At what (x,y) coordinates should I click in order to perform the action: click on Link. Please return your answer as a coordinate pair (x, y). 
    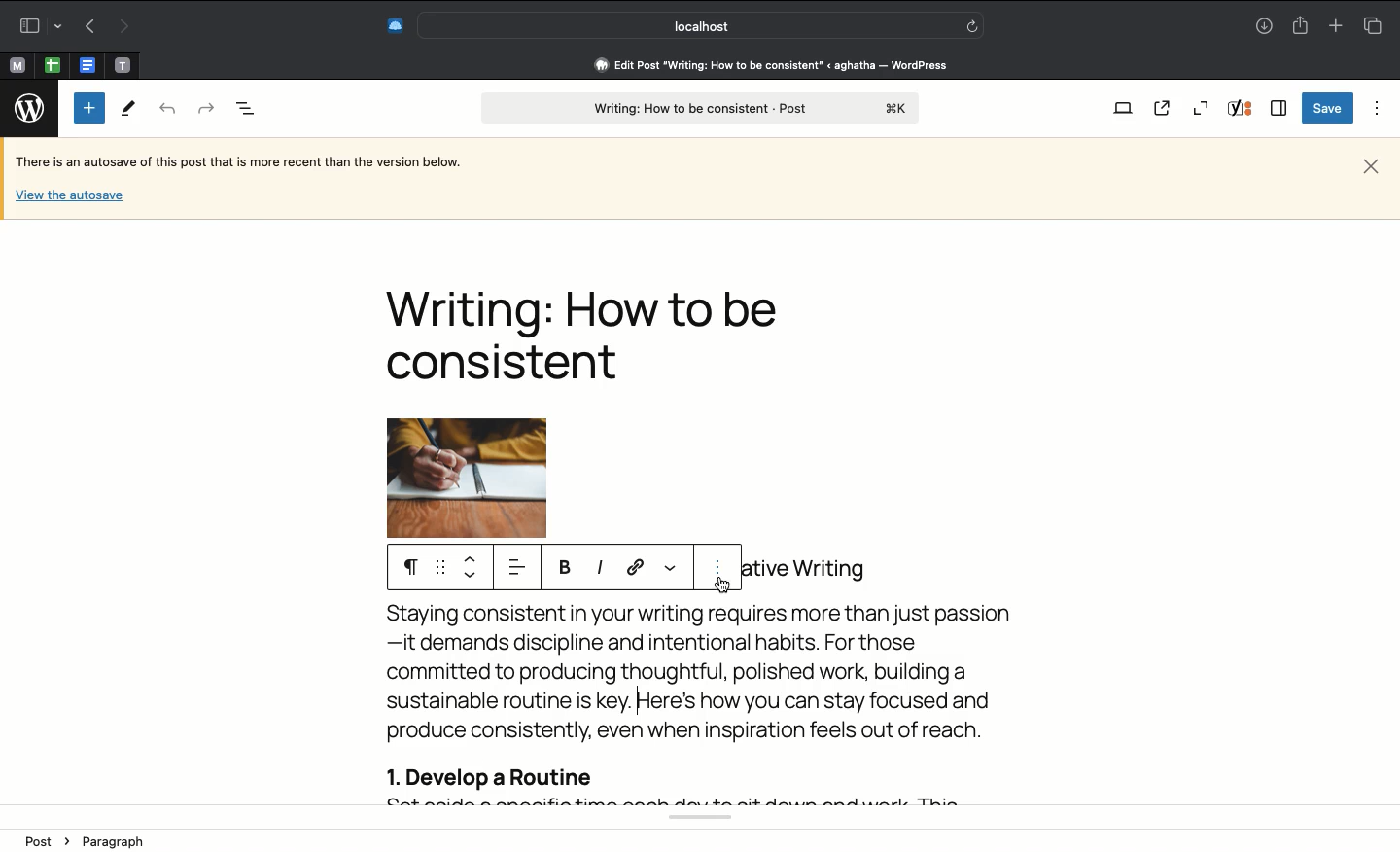
    Looking at the image, I should click on (638, 568).